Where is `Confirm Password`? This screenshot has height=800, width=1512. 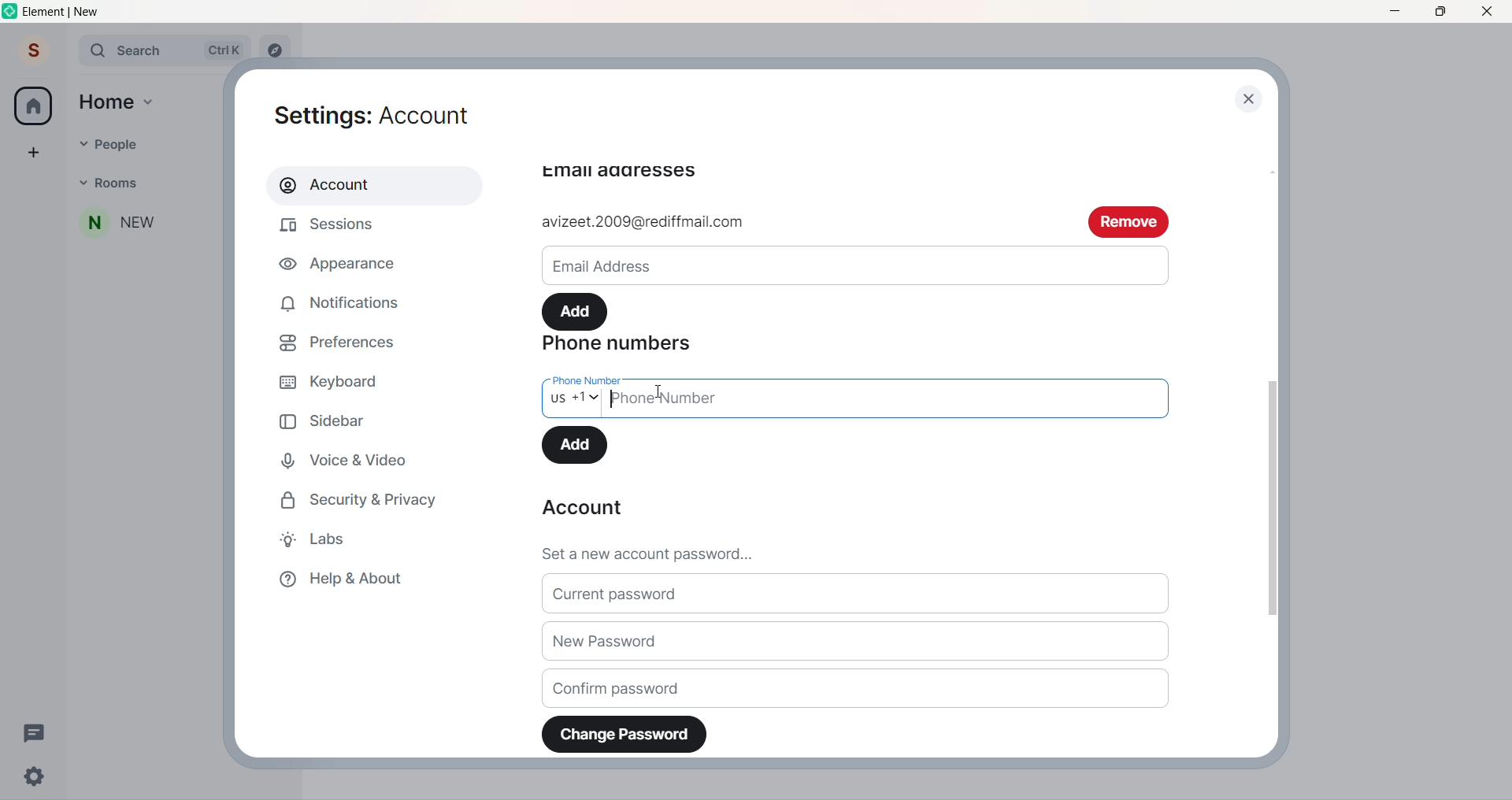
Confirm Password is located at coordinates (857, 687).